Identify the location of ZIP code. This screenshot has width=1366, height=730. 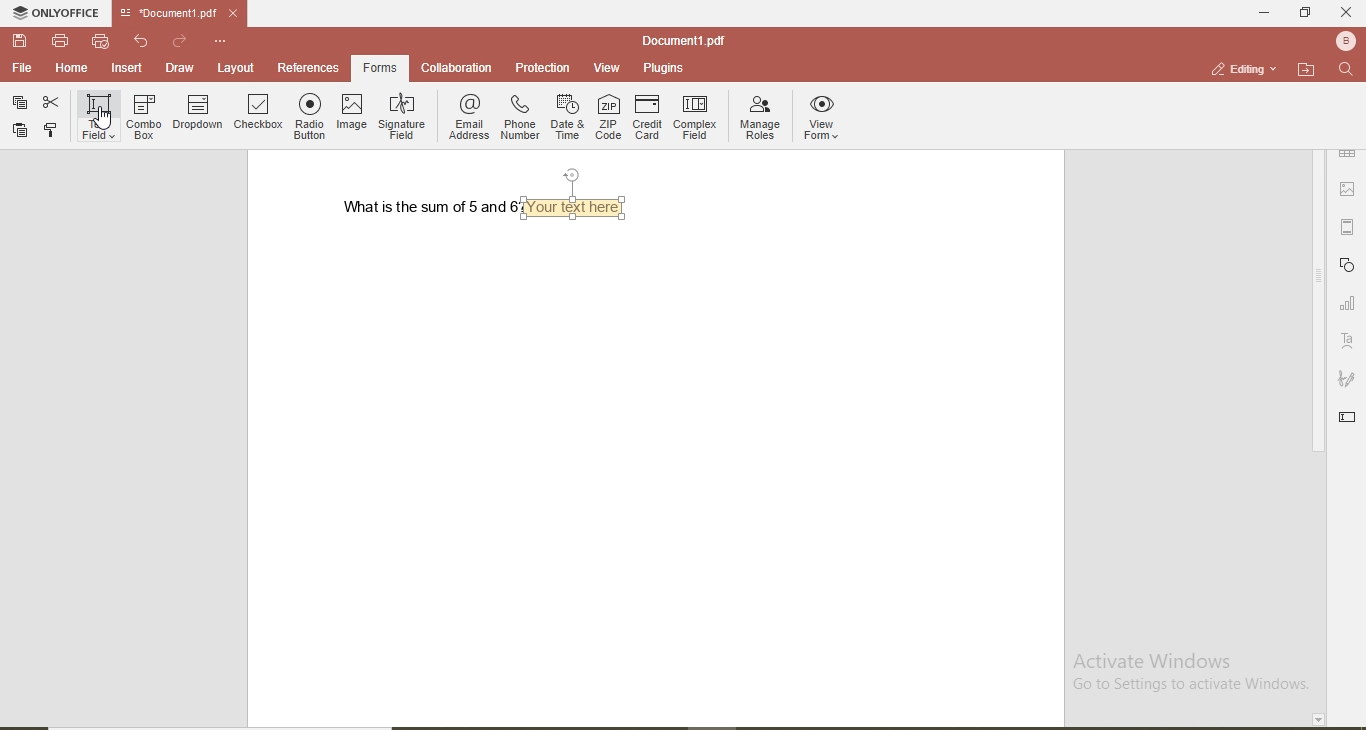
(607, 115).